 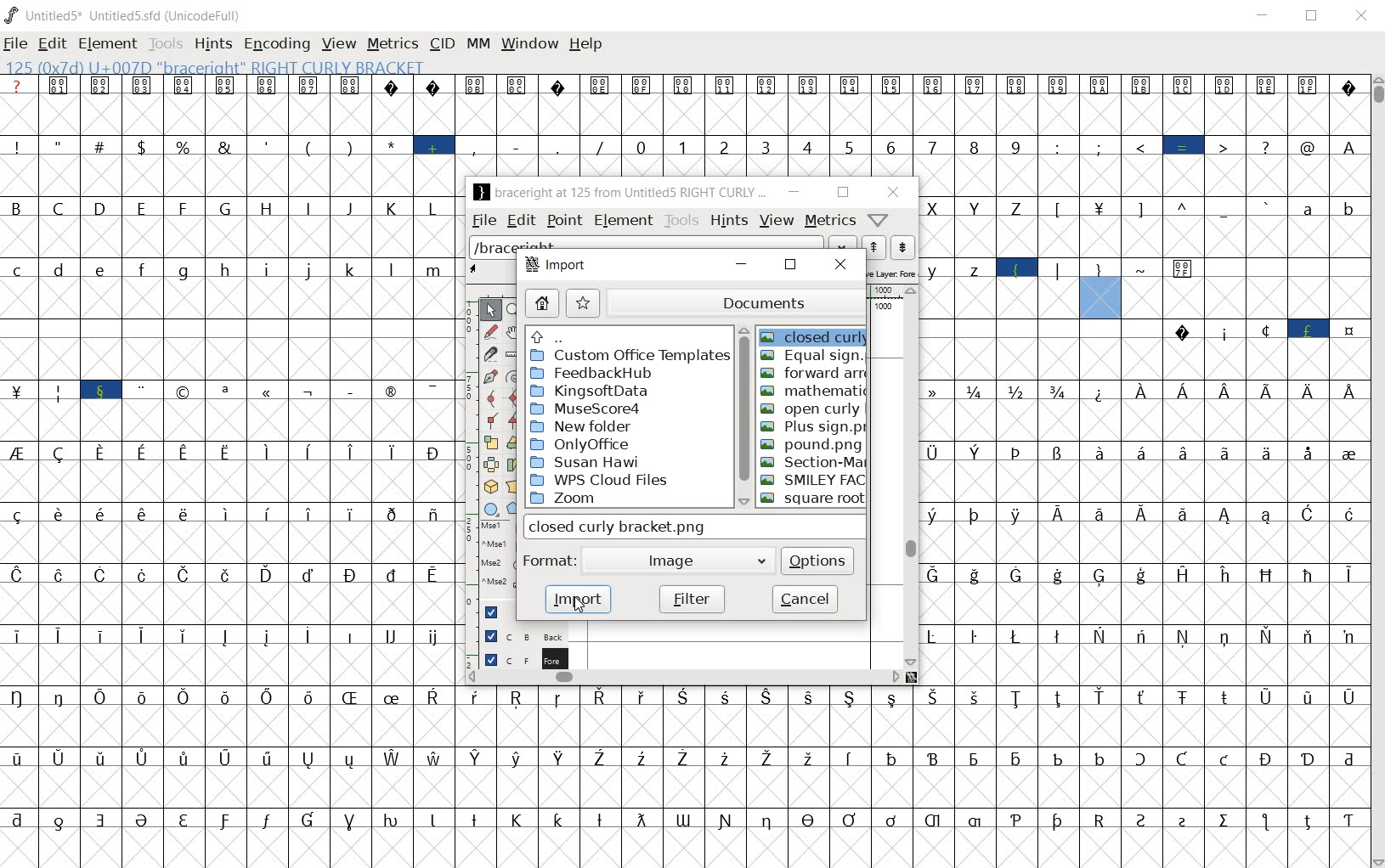 What do you see at coordinates (547, 559) in the screenshot?
I see `format` at bounding box center [547, 559].